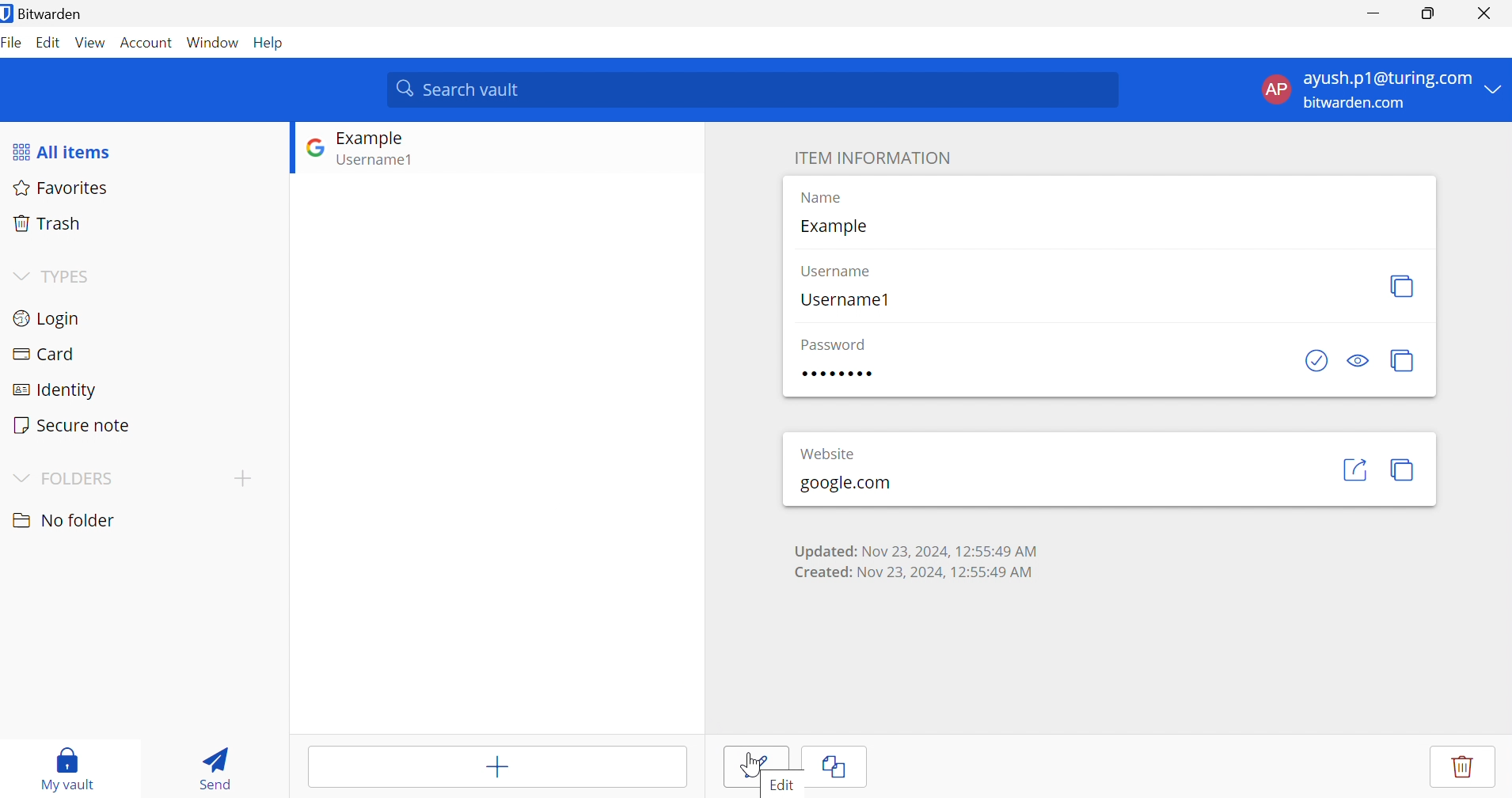  What do you see at coordinates (872, 158) in the screenshot?
I see `ITEM INFORMATION` at bounding box center [872, 158].